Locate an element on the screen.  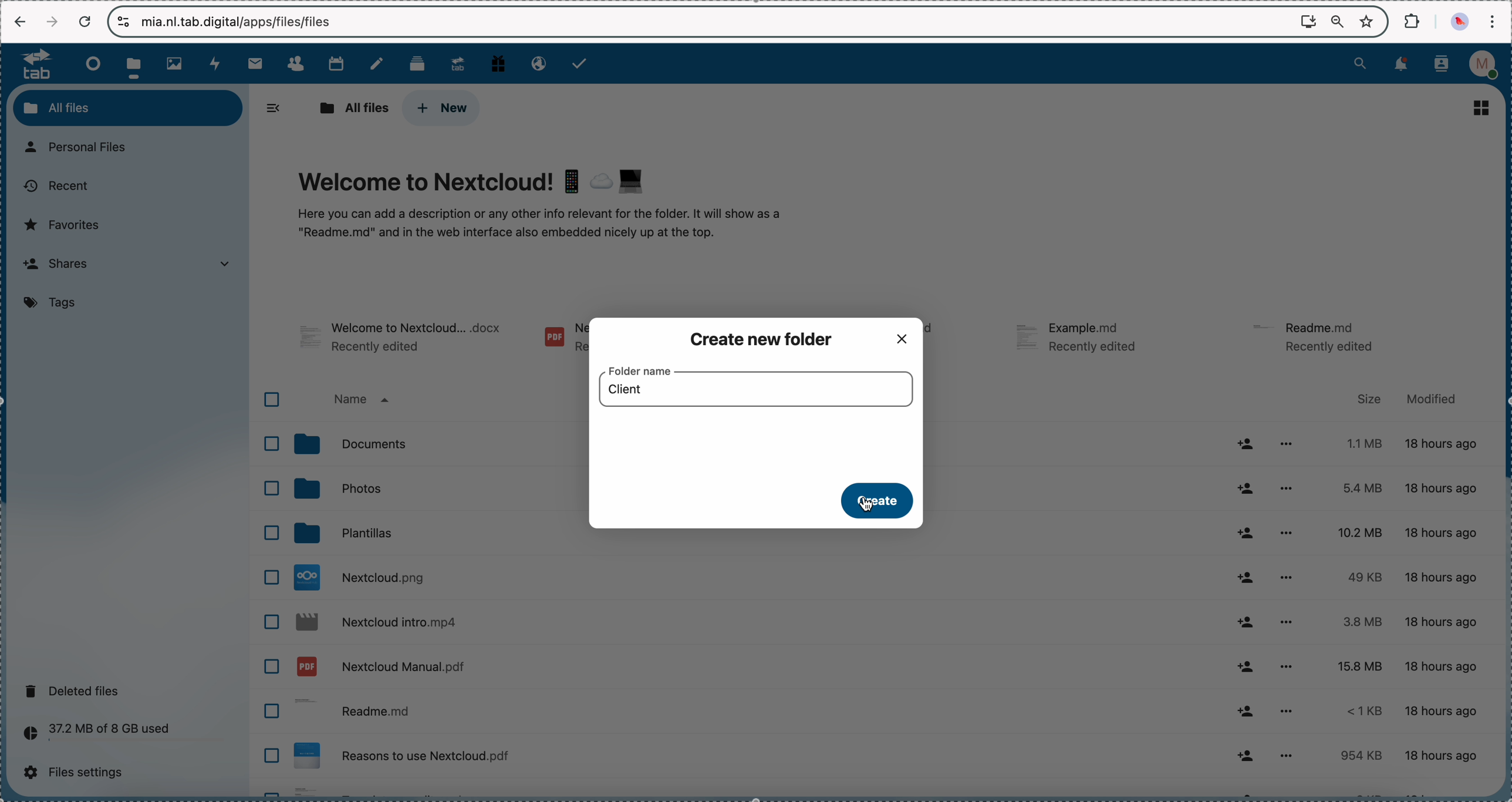
more options is located at coordinates (1293, 441).